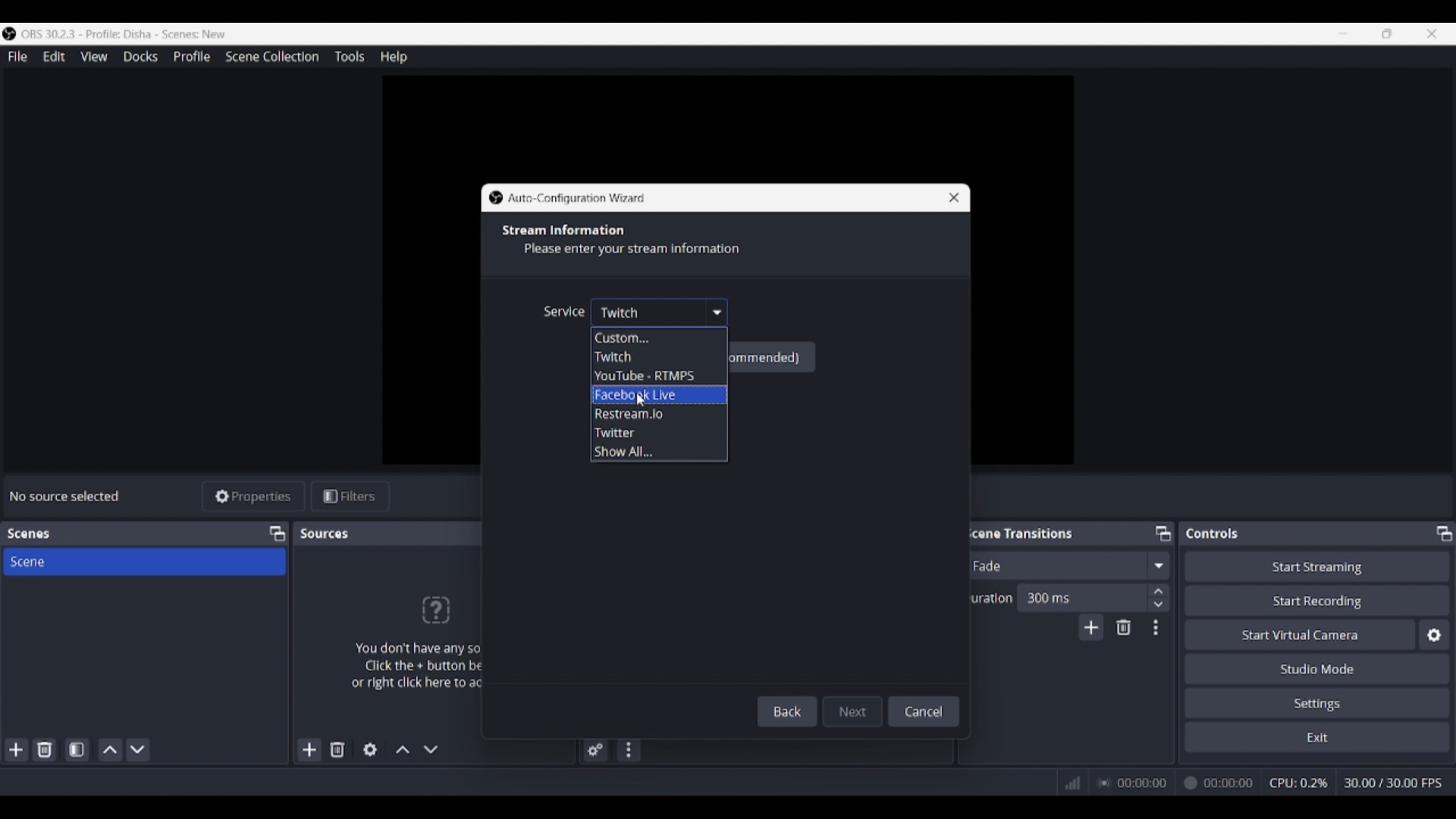  I want to click on Network, so click(1067, 781).